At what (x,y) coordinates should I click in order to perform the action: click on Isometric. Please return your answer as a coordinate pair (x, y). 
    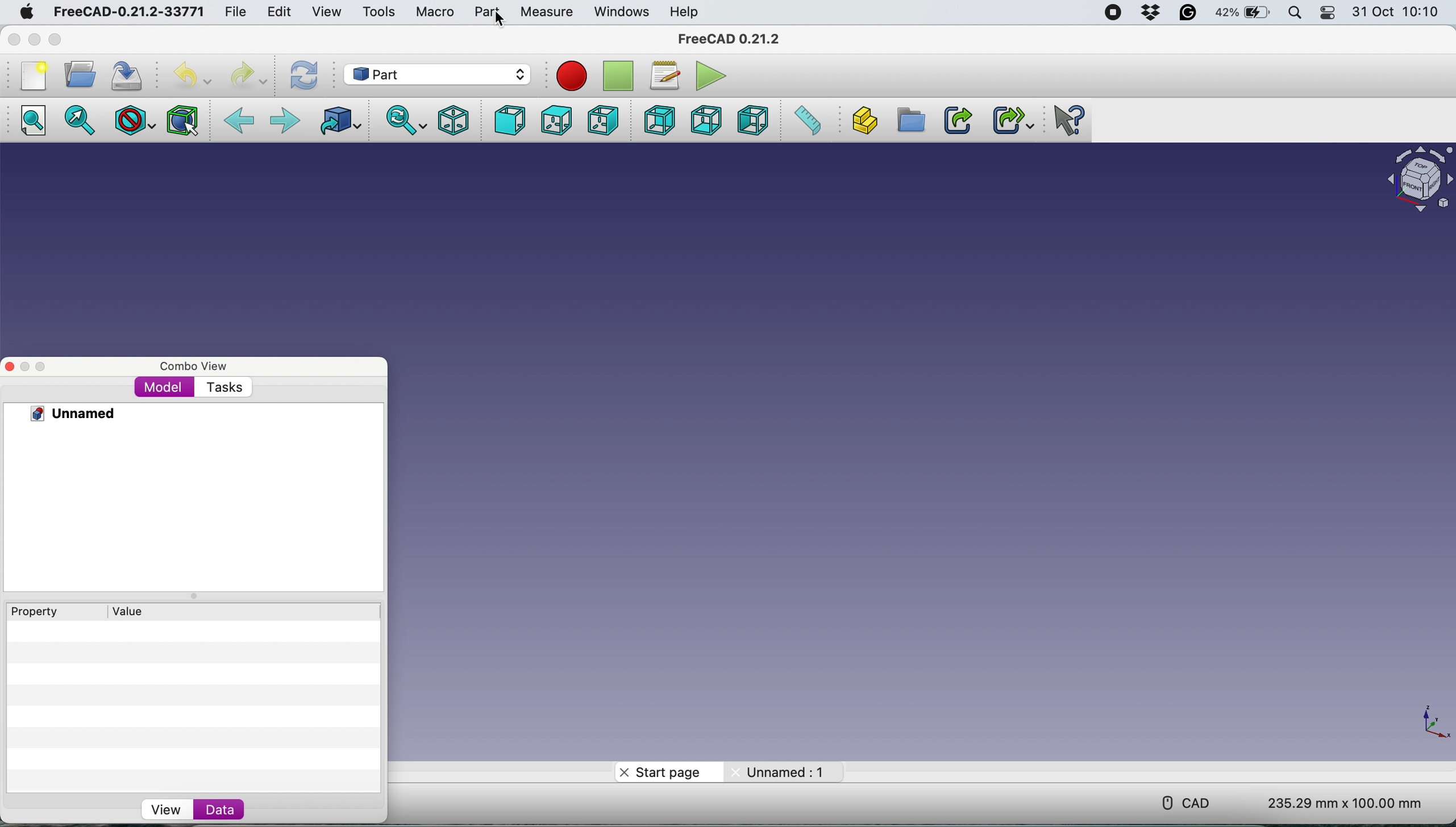
    Looking at the image, I should click on (455, 120).